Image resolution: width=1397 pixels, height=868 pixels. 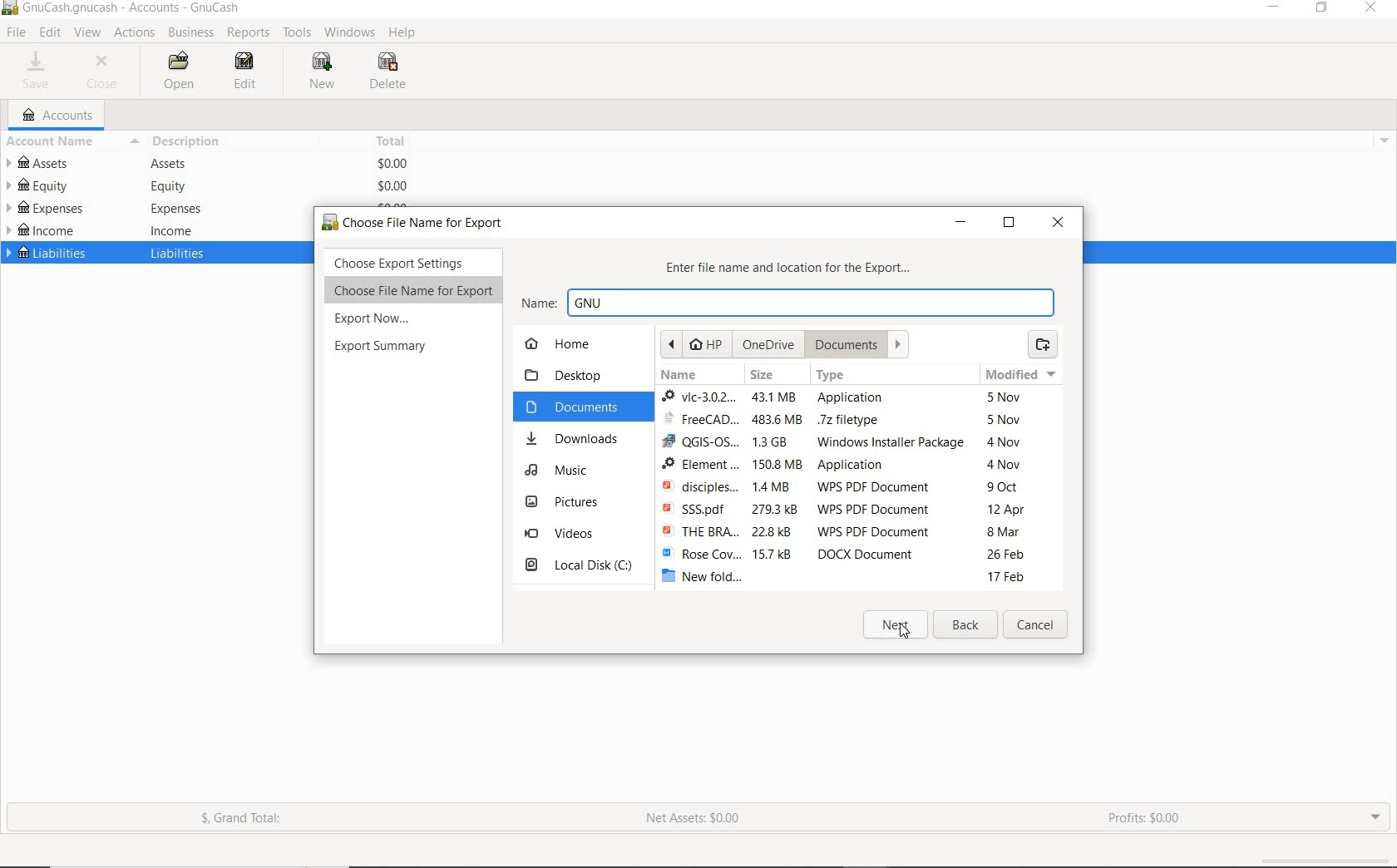 I want to click on EDIT, so click(x=51, y=33).